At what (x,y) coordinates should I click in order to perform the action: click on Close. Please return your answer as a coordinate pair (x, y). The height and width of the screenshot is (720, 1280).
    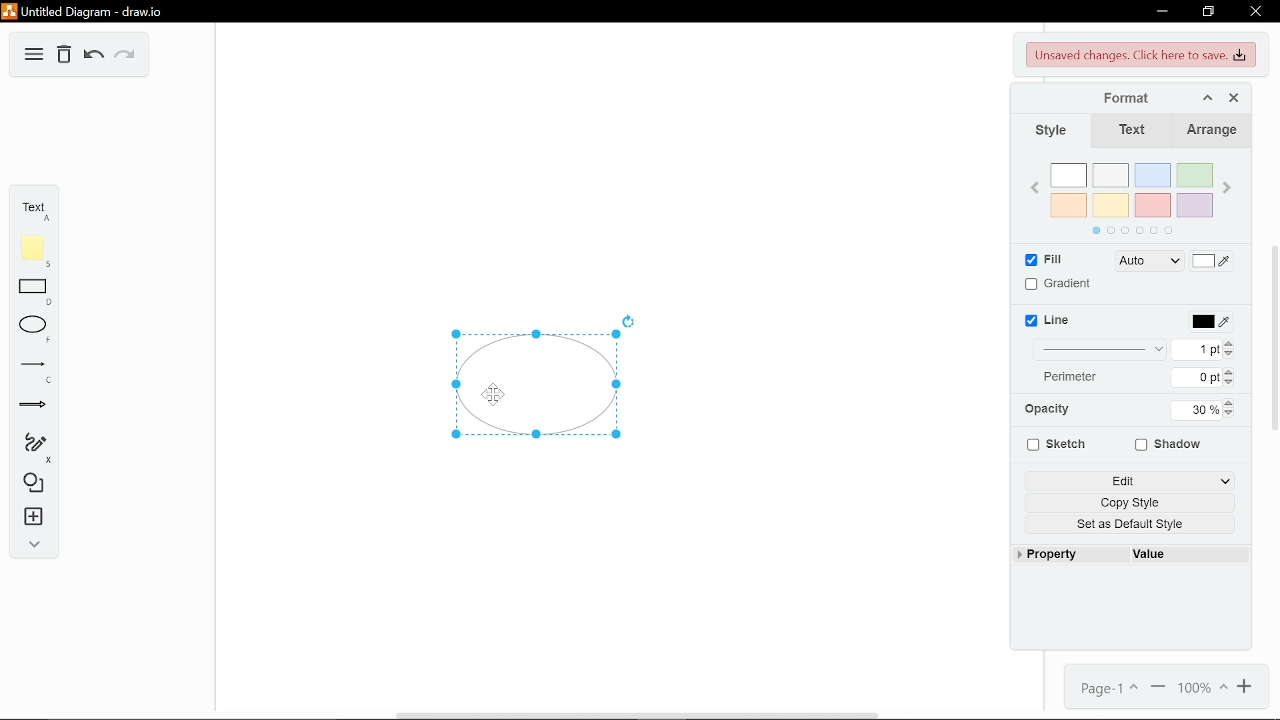
    Looking at the image, I should click on (1257, 11).